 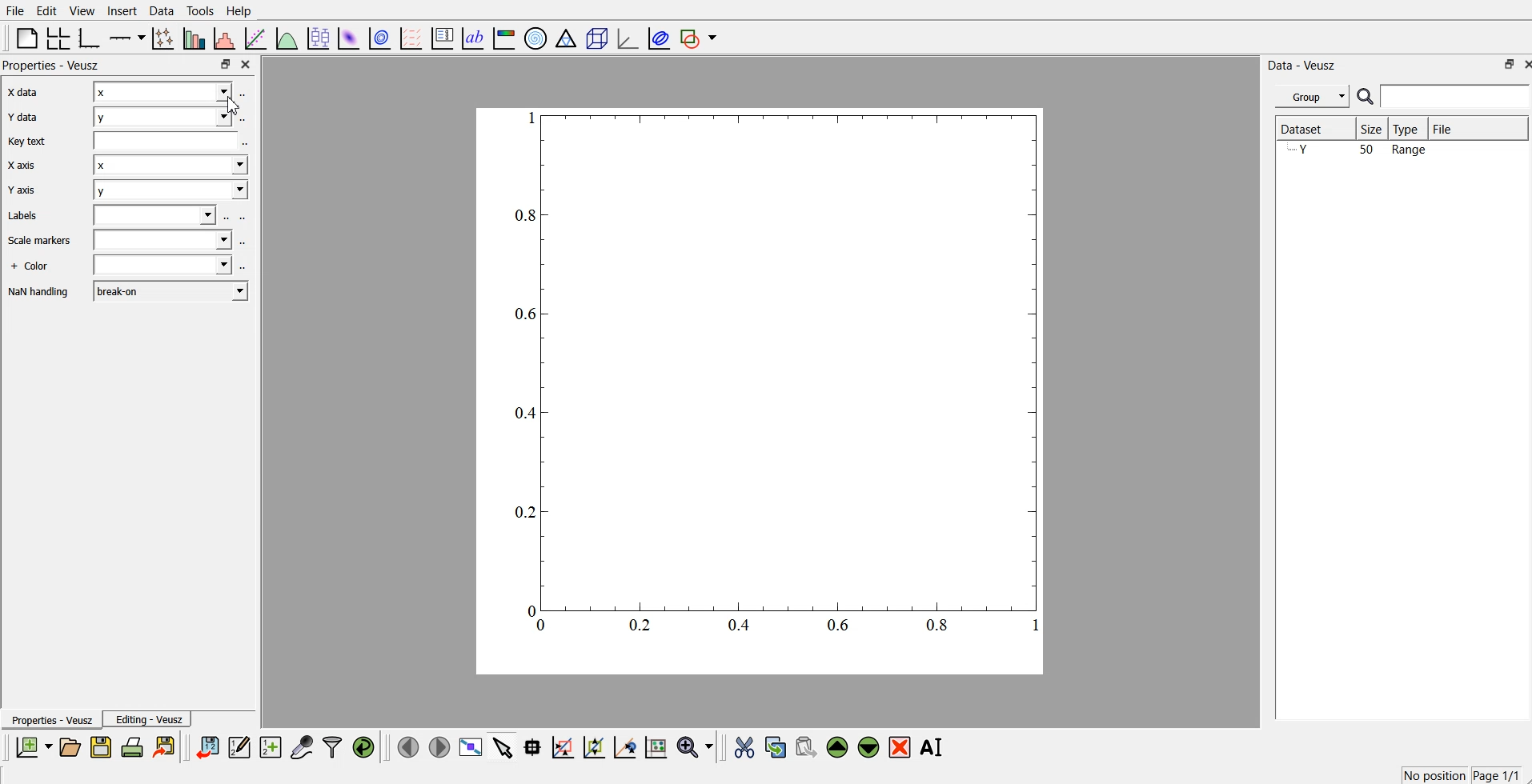 What do you see at coordinates (157, 216) in the screenshot?
I see `Labels field` at bounding box center [157, 216].